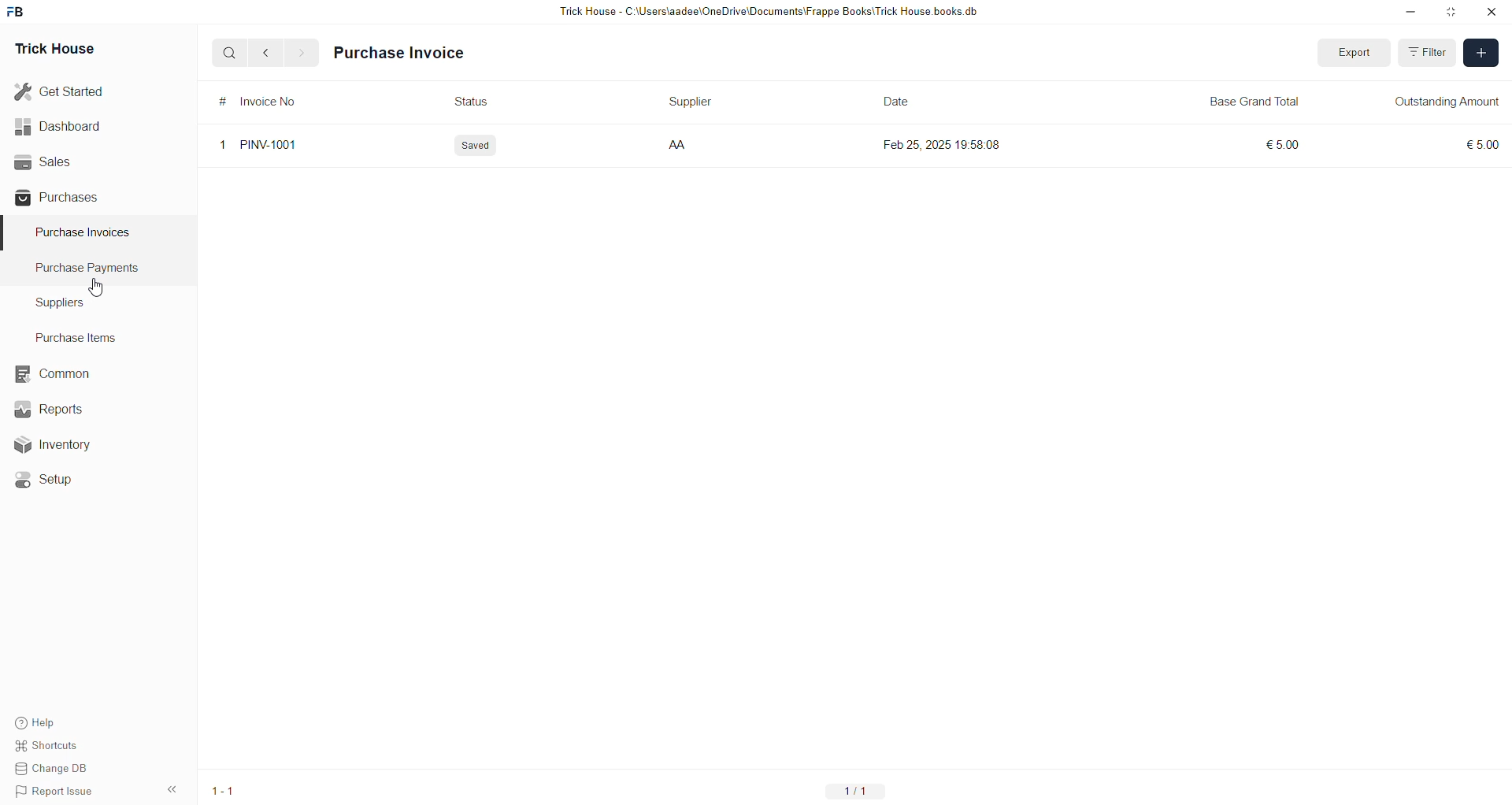  What do you see at coordinates (687, 147) in the screenshot?
I see `AA` at bounding box center [687, 147].